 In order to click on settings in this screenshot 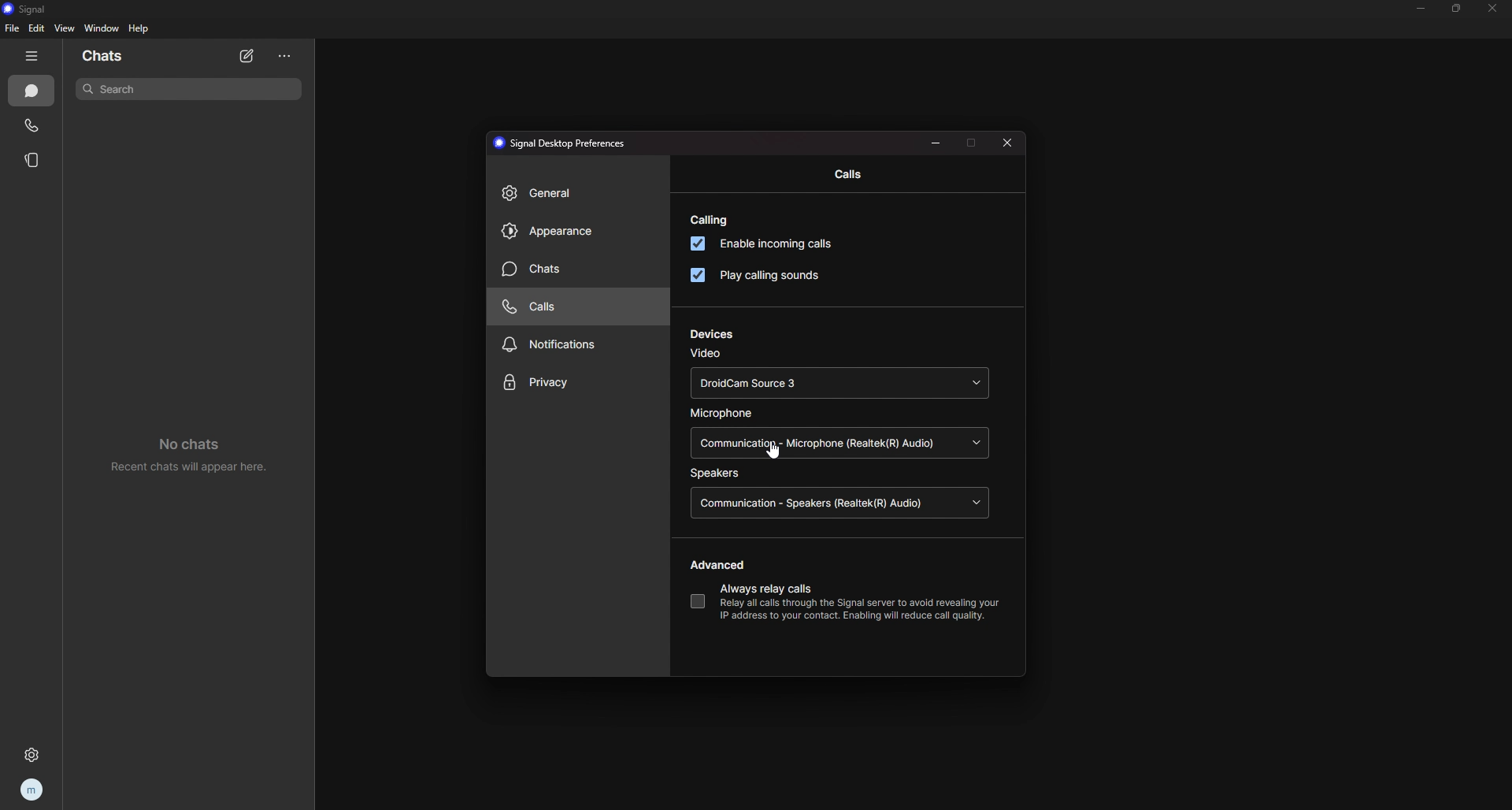, I will do `click(28, 756)`.